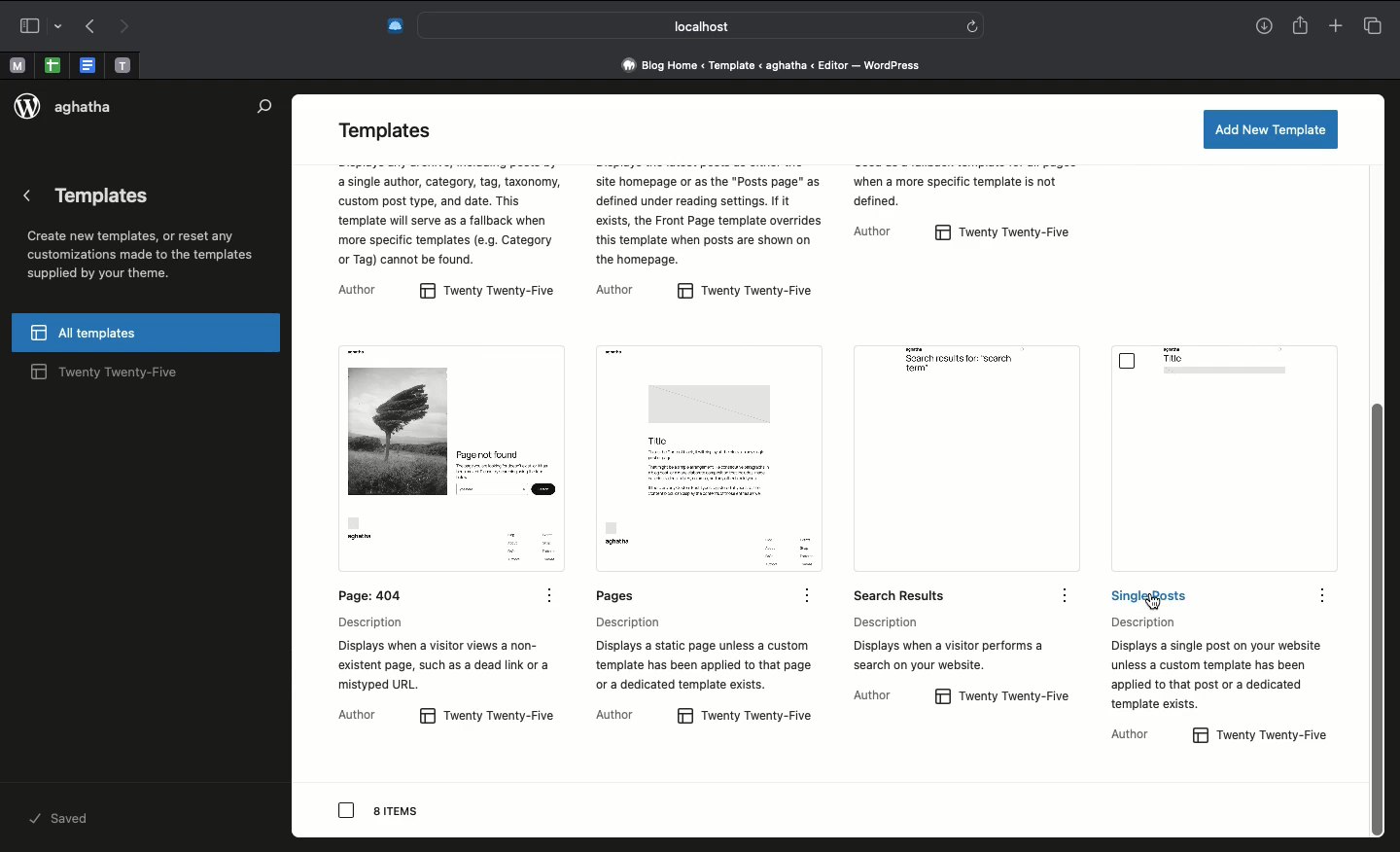 This screenshot has height=852, width=1400. What do you see at coordinates (617, 715) in the screenshot?
I see `Author` at bounding box center [617, 715].